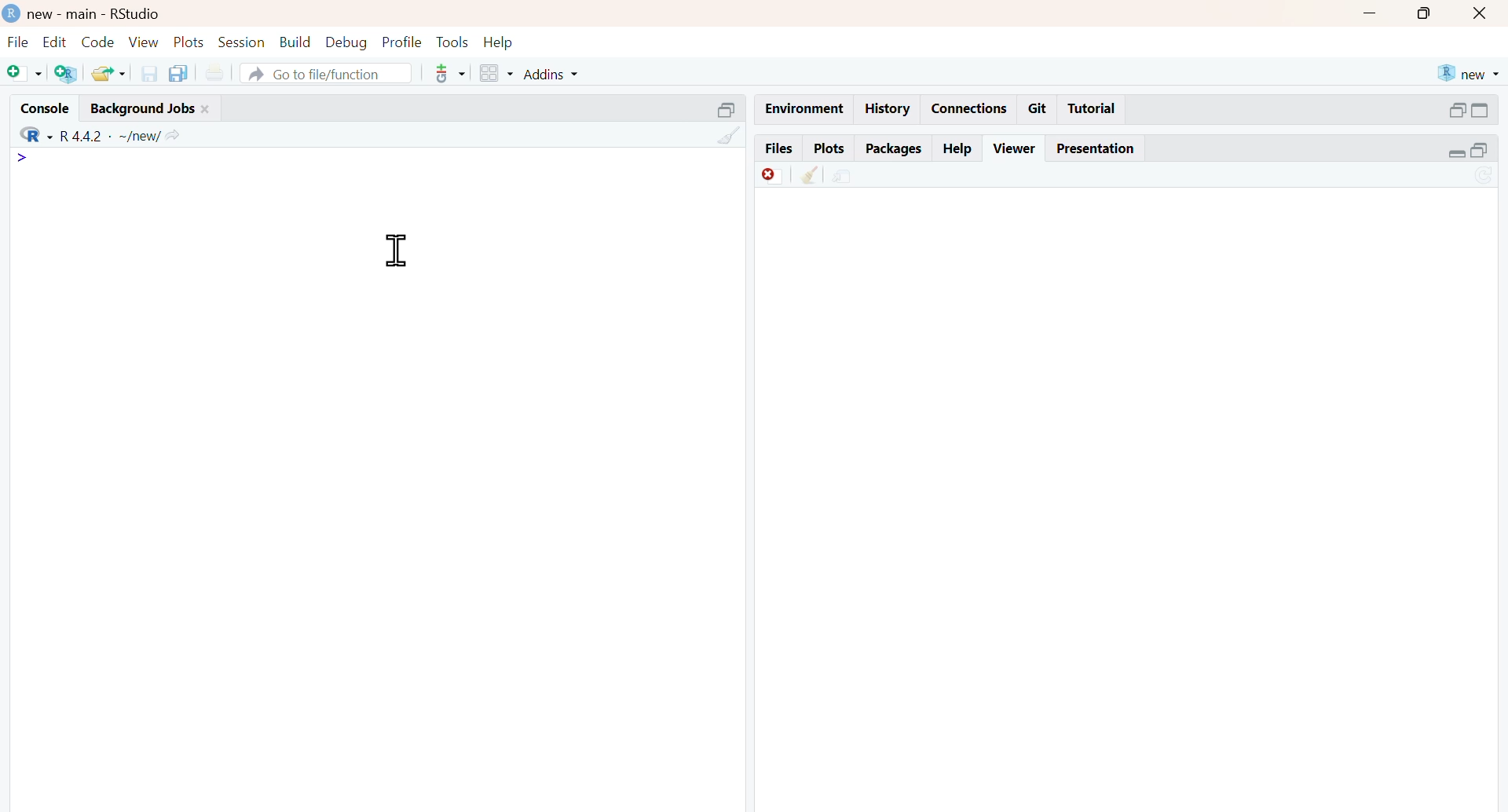 The image size is (1508, 812). What do you see at coordinates (190, 43) in the screenshot?
I see `plots` at bounding box center [190, 43].